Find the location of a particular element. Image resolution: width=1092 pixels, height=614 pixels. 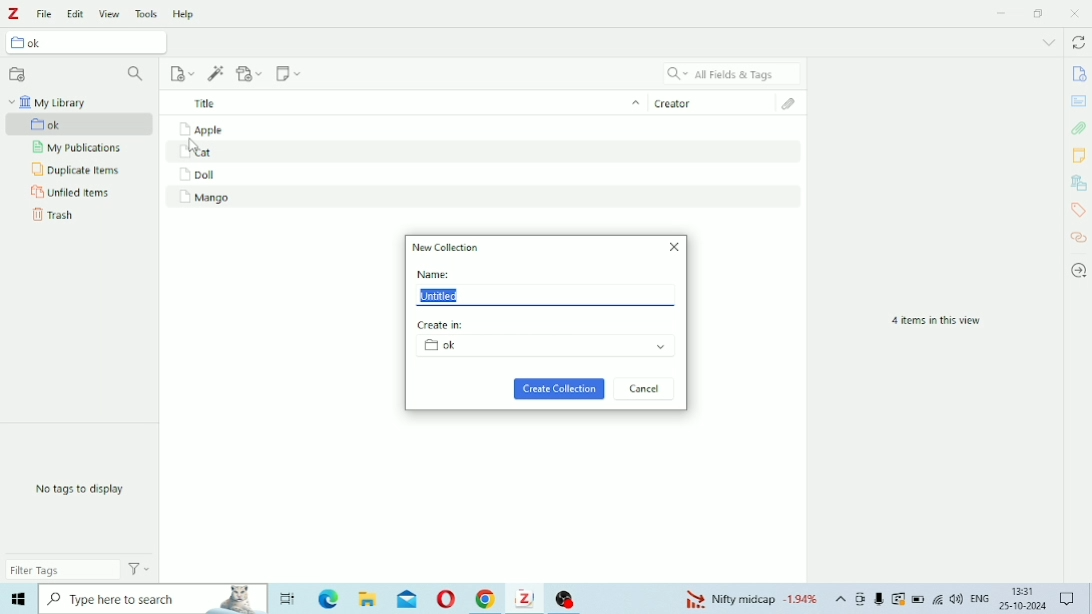

Create in: is located at coordinates (443, 325).